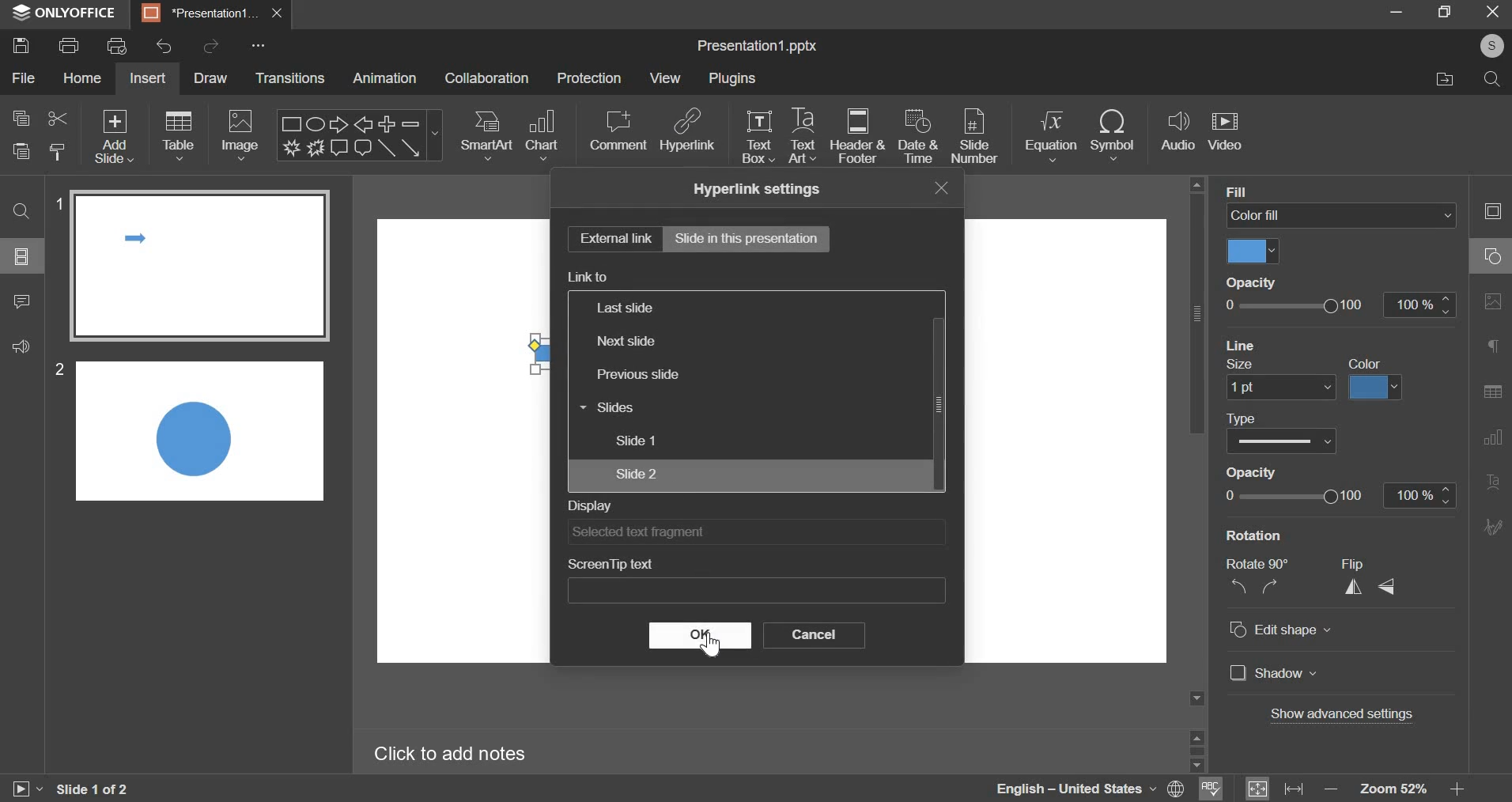 This screenshot has width=1512, height=802. What do you see at coordinates (623, 308) in the screenshot?
I see `last slide` at bounding box center [623, 308].